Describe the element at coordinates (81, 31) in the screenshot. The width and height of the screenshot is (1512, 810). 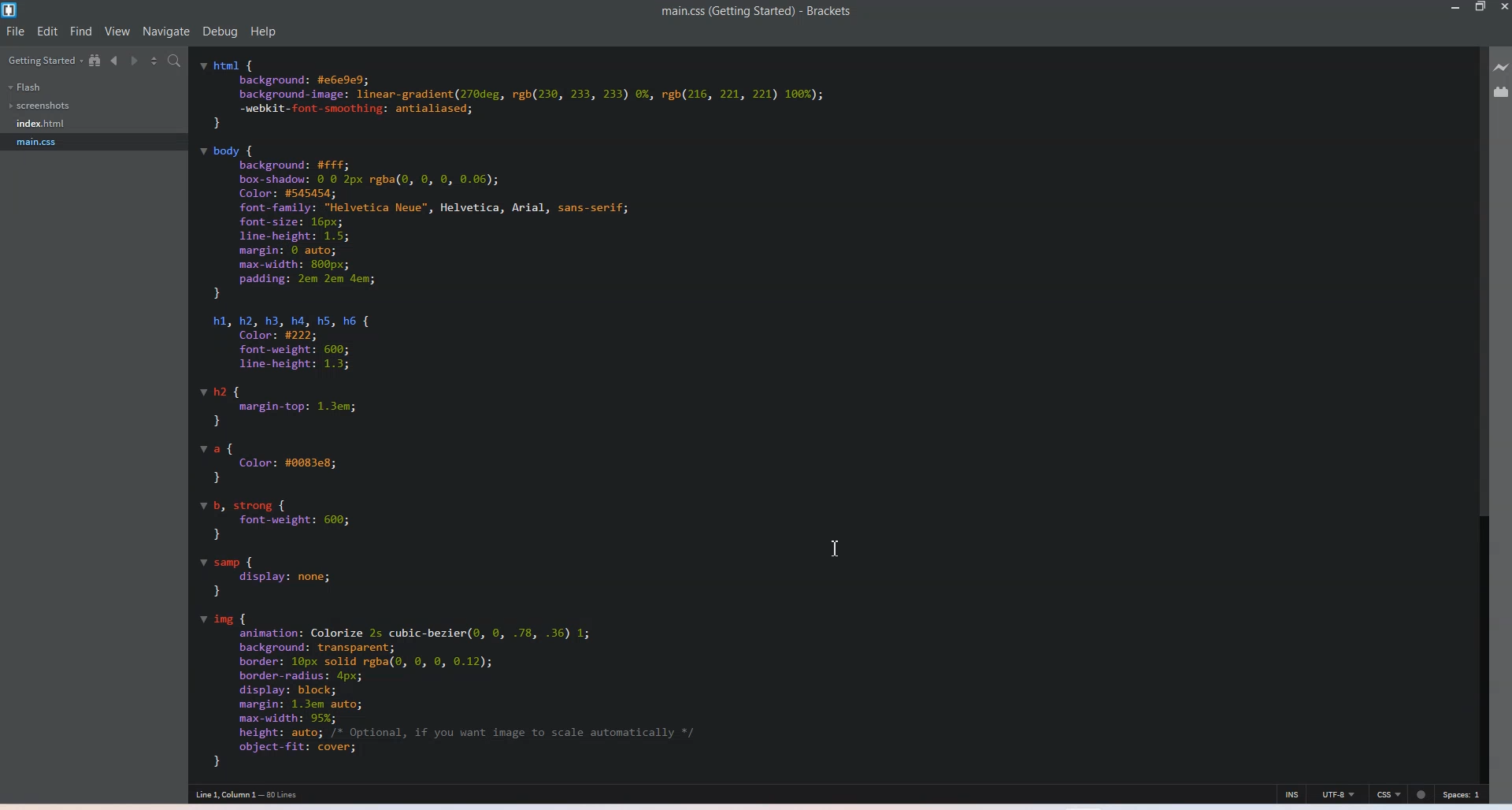
I see `Find` at that location.